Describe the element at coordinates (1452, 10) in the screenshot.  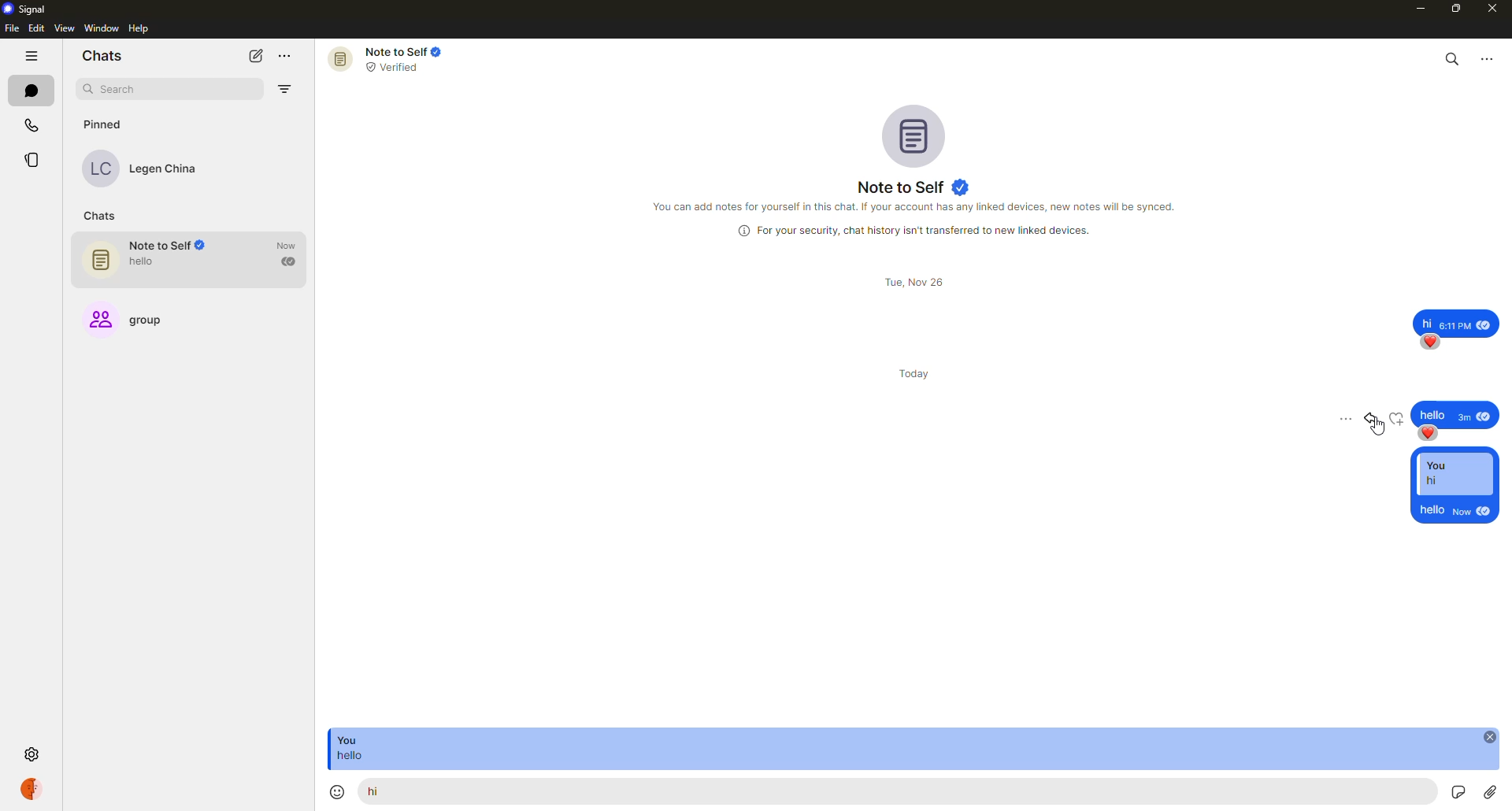
I see `maximize` at that location.